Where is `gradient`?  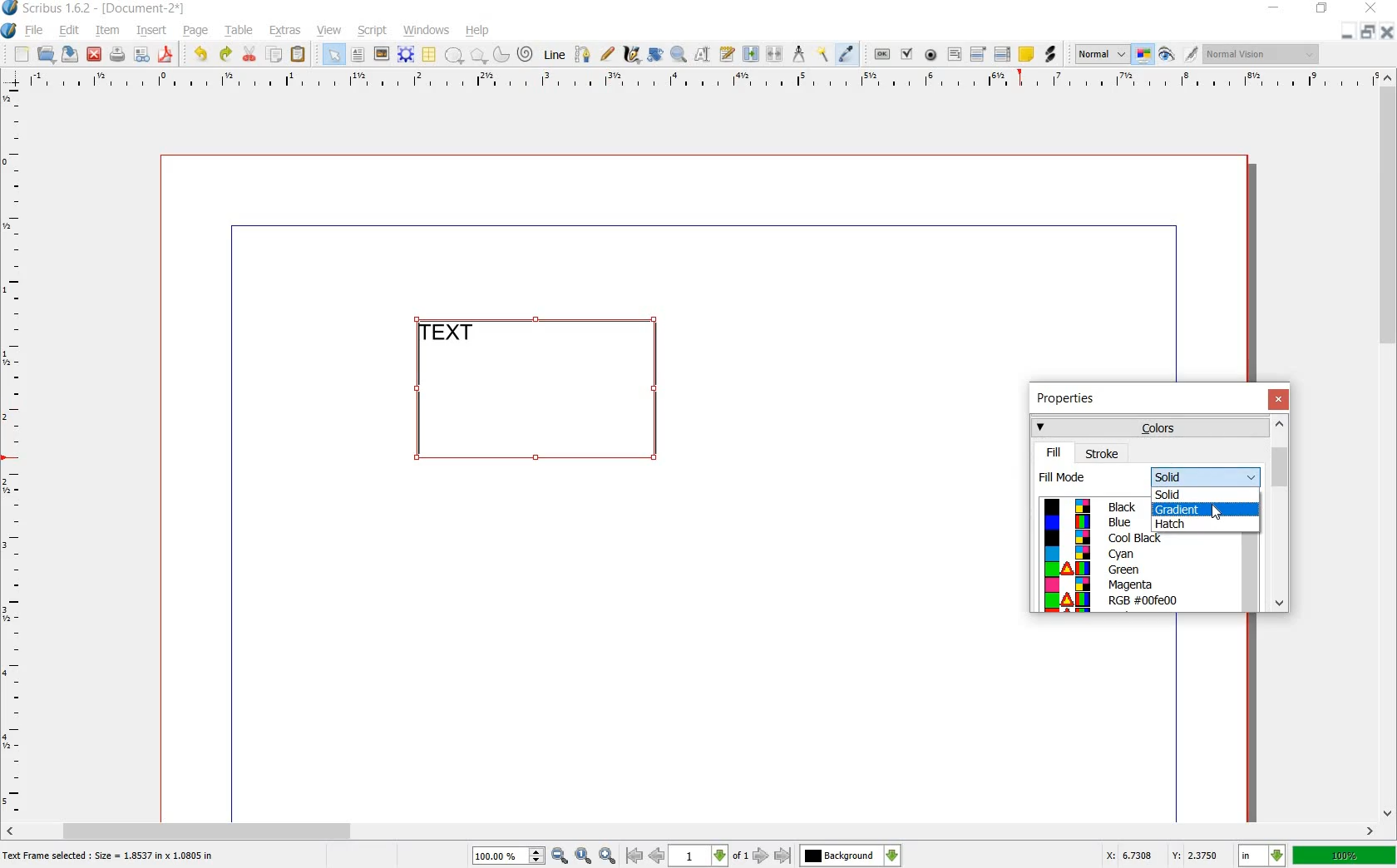
gradient is located at coordinates (1202, 508).